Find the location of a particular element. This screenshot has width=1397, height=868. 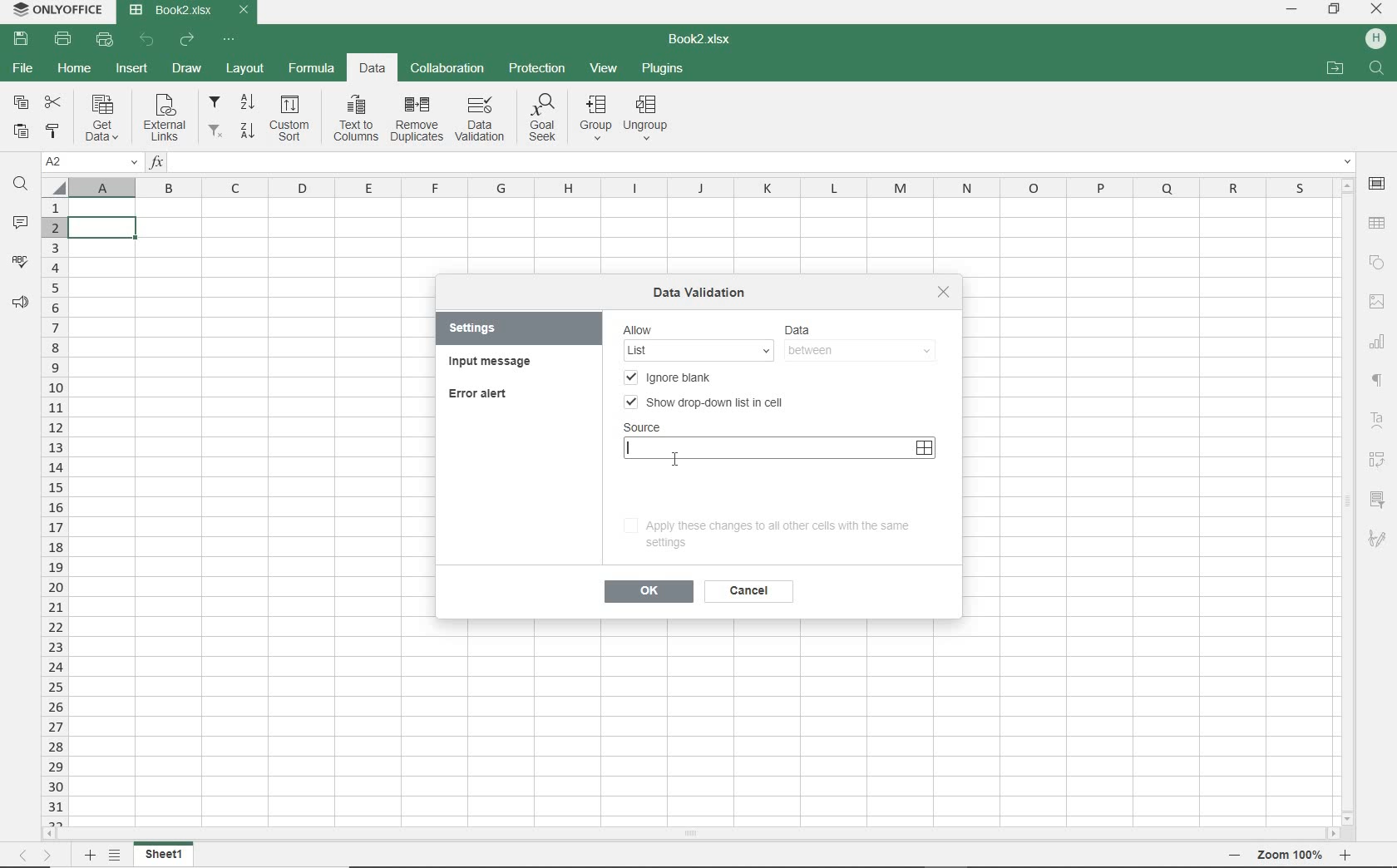

allow is located at coordinates (644, 329).